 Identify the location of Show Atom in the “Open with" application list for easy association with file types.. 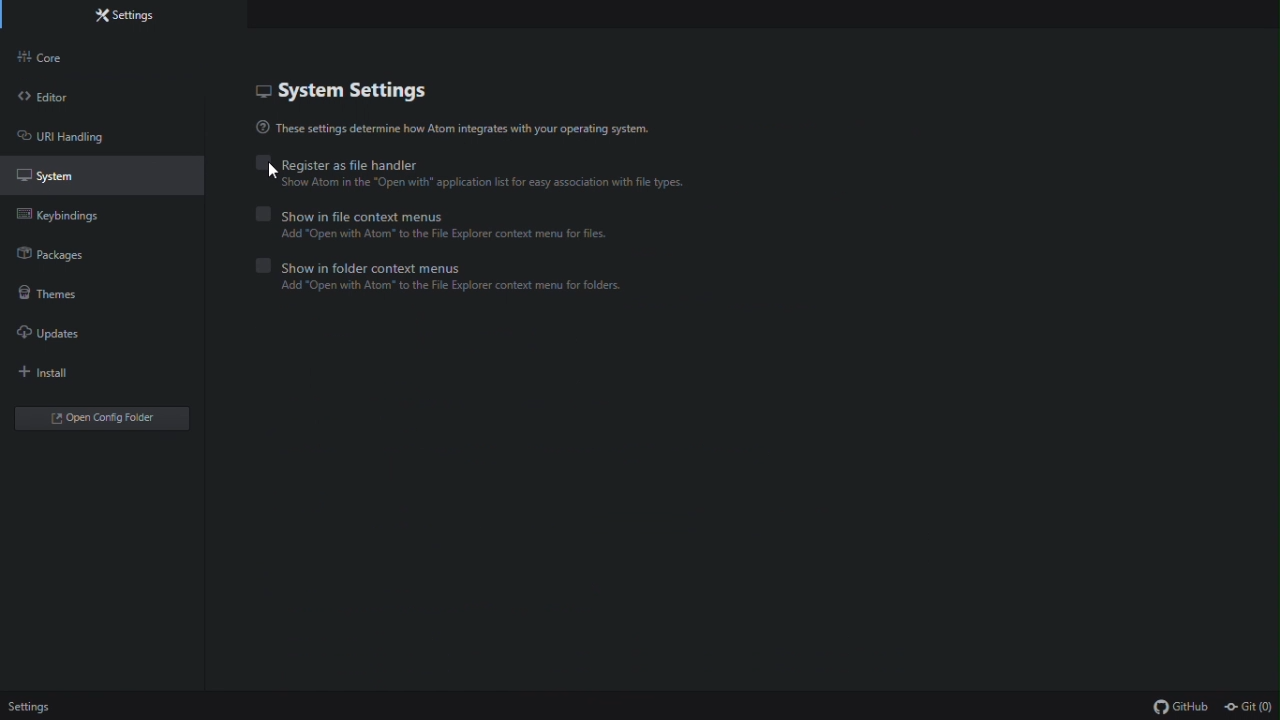
(487, 185).